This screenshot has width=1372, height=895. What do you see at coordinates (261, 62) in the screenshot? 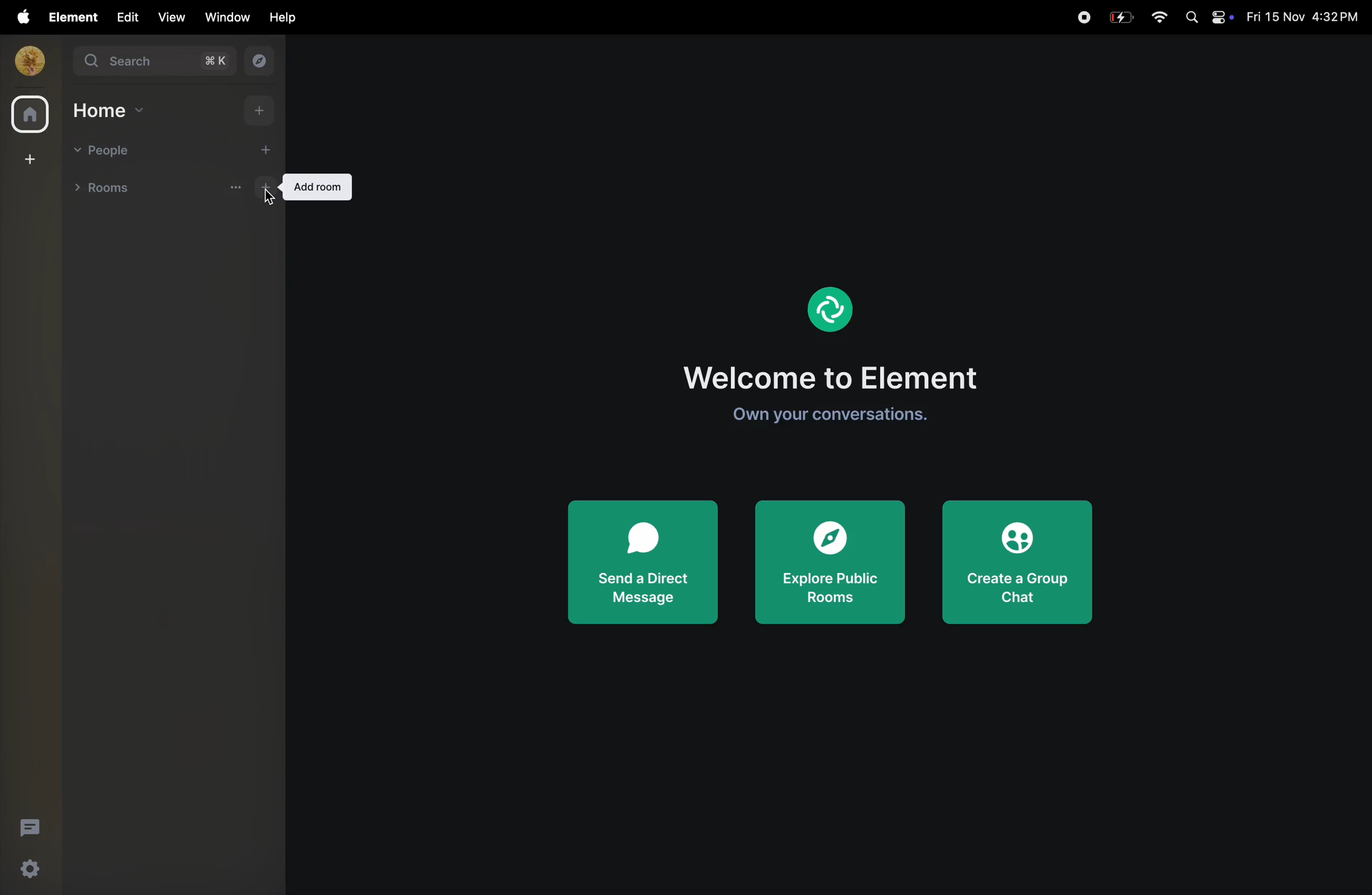
I see `explore` at bounding box center [261, 62].